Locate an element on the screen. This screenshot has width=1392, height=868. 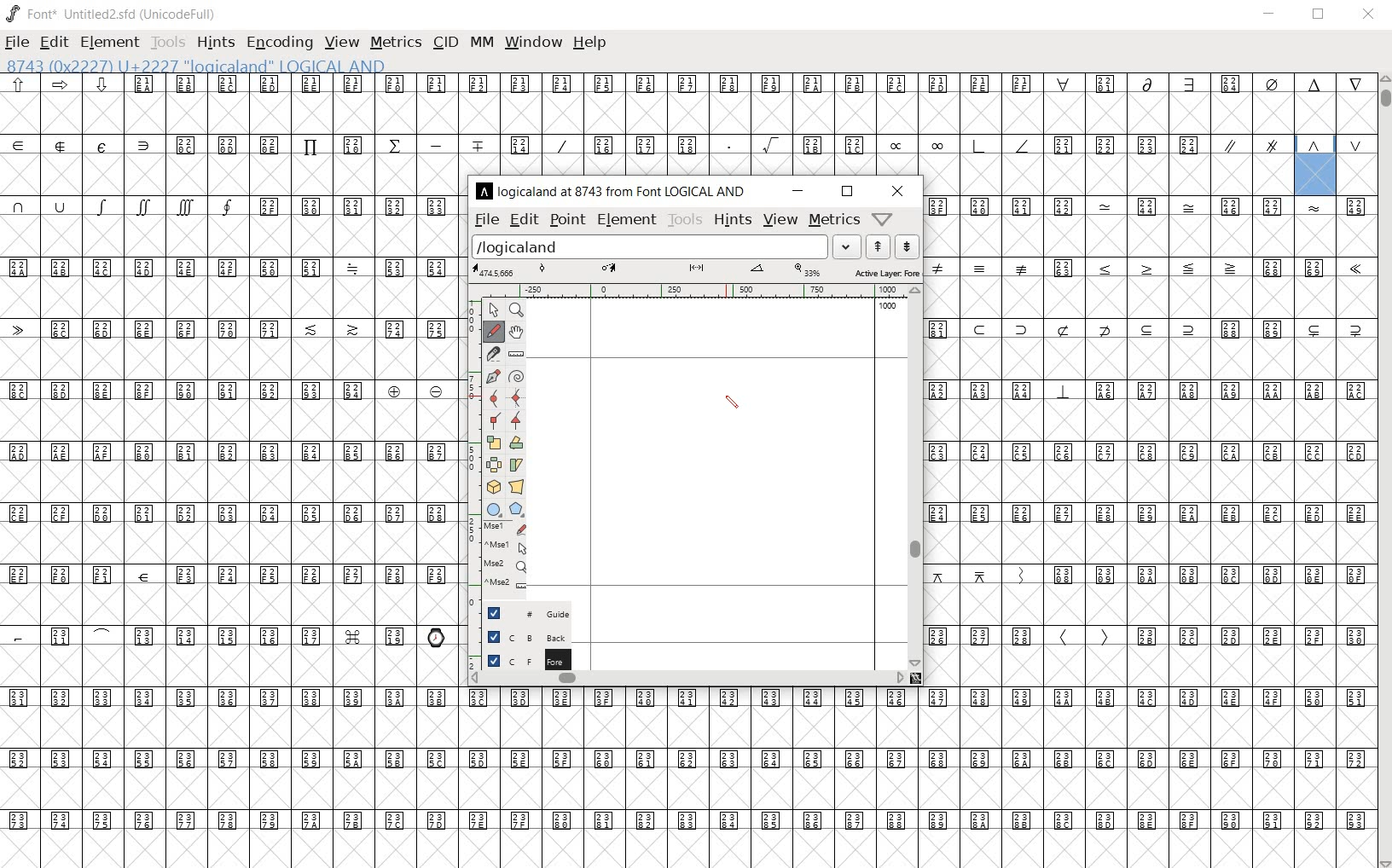
Rotate the selection is located at coordinates (516, 465).